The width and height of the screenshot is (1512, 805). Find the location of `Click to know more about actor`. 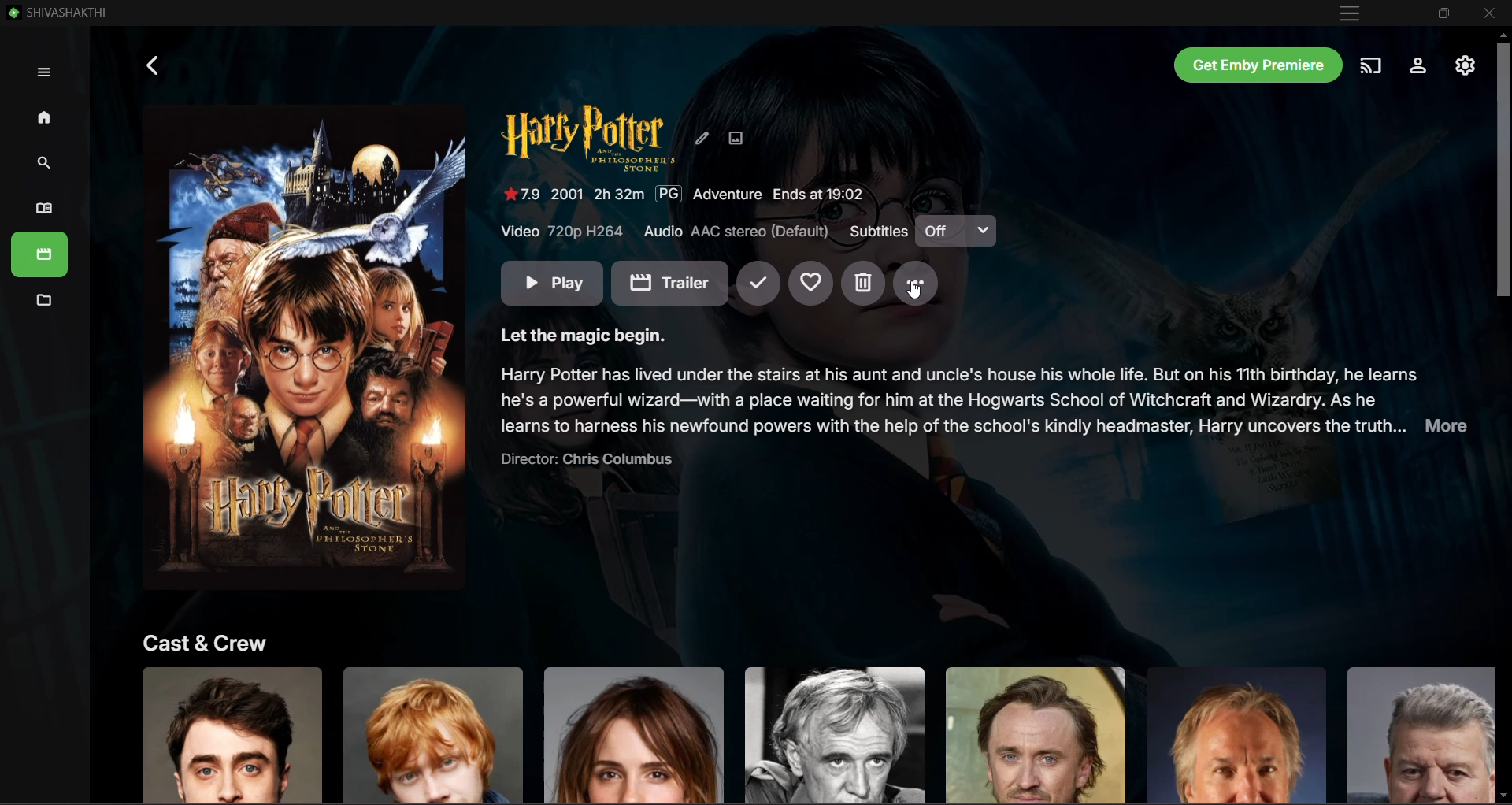

Click to know more about actor is located at coordinates (232, 734).